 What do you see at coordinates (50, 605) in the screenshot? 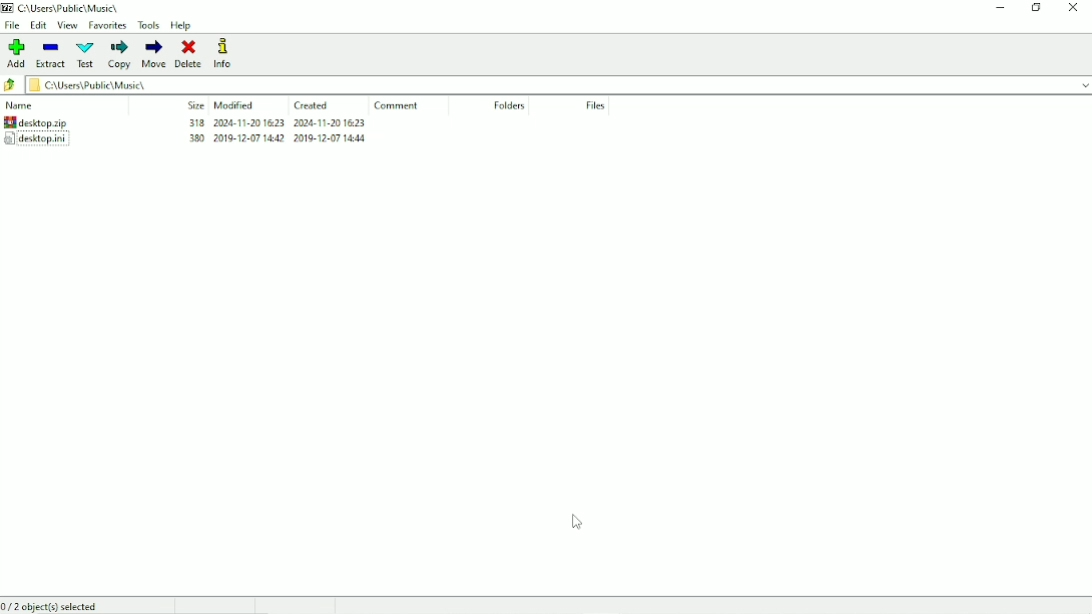
I see `0/2 object(s) selected` at bounding box center [50, 605].